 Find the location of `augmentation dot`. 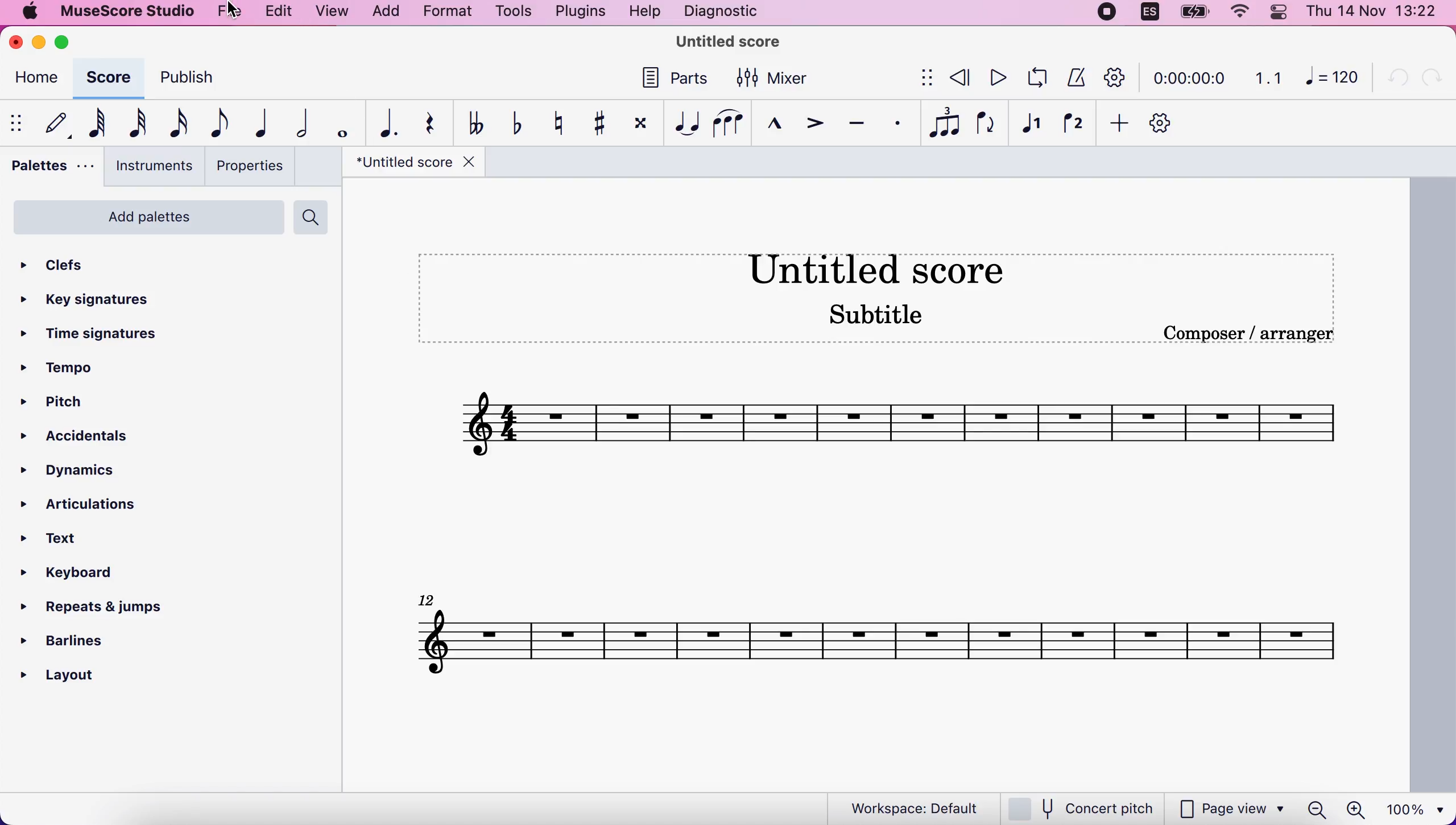

augmentation dot is located at coordinates (384, 123).